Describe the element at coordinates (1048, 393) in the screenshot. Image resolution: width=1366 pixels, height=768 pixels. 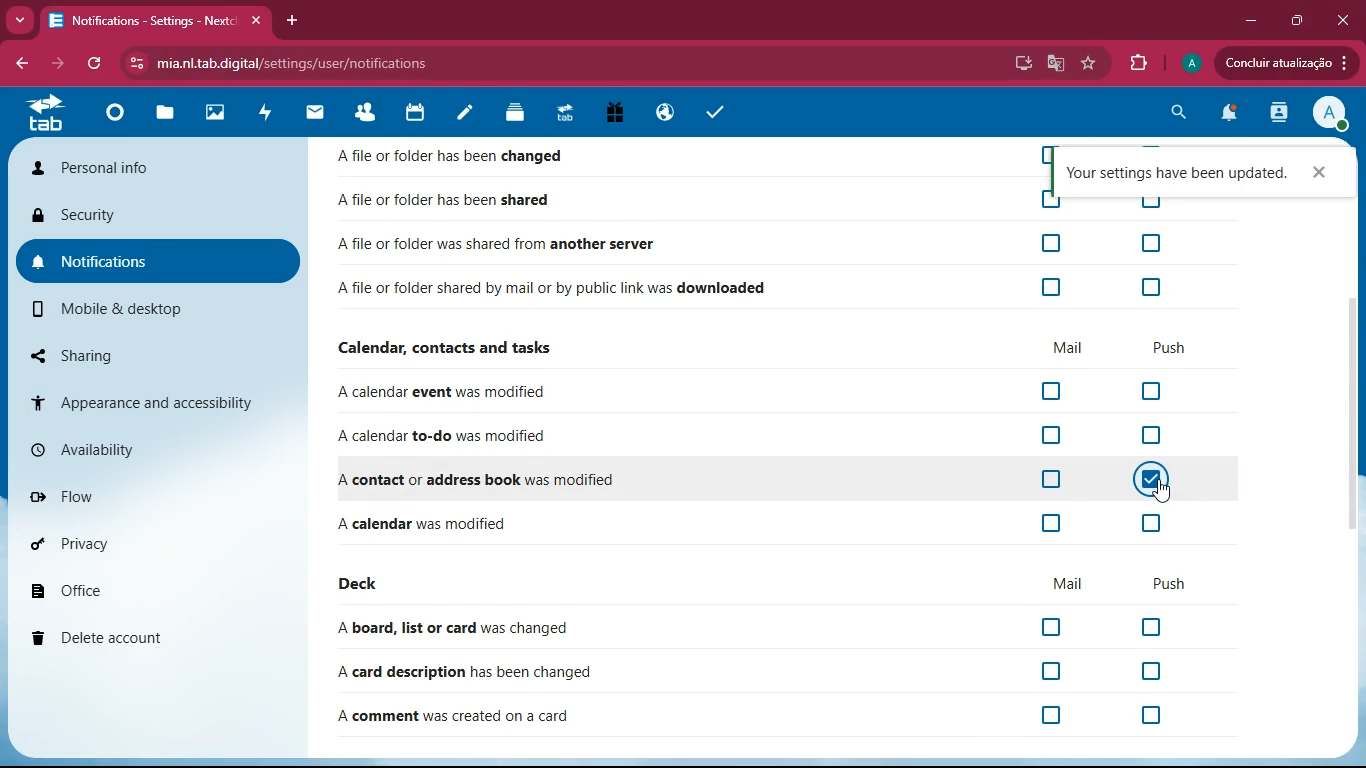
I see `off` at that location.